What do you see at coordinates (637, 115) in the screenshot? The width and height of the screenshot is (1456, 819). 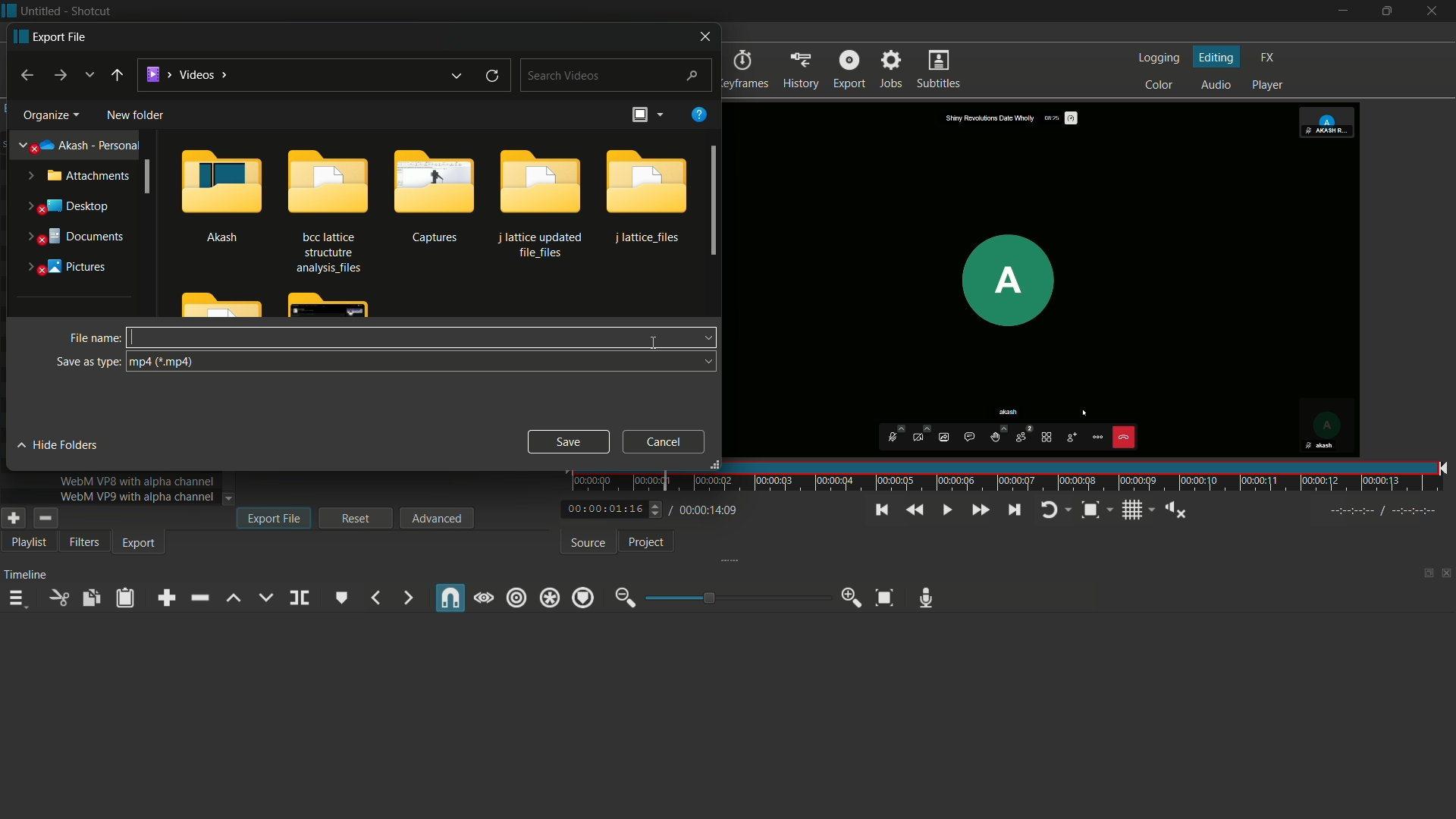 I see `change the view` at bounding box center [637, 115].